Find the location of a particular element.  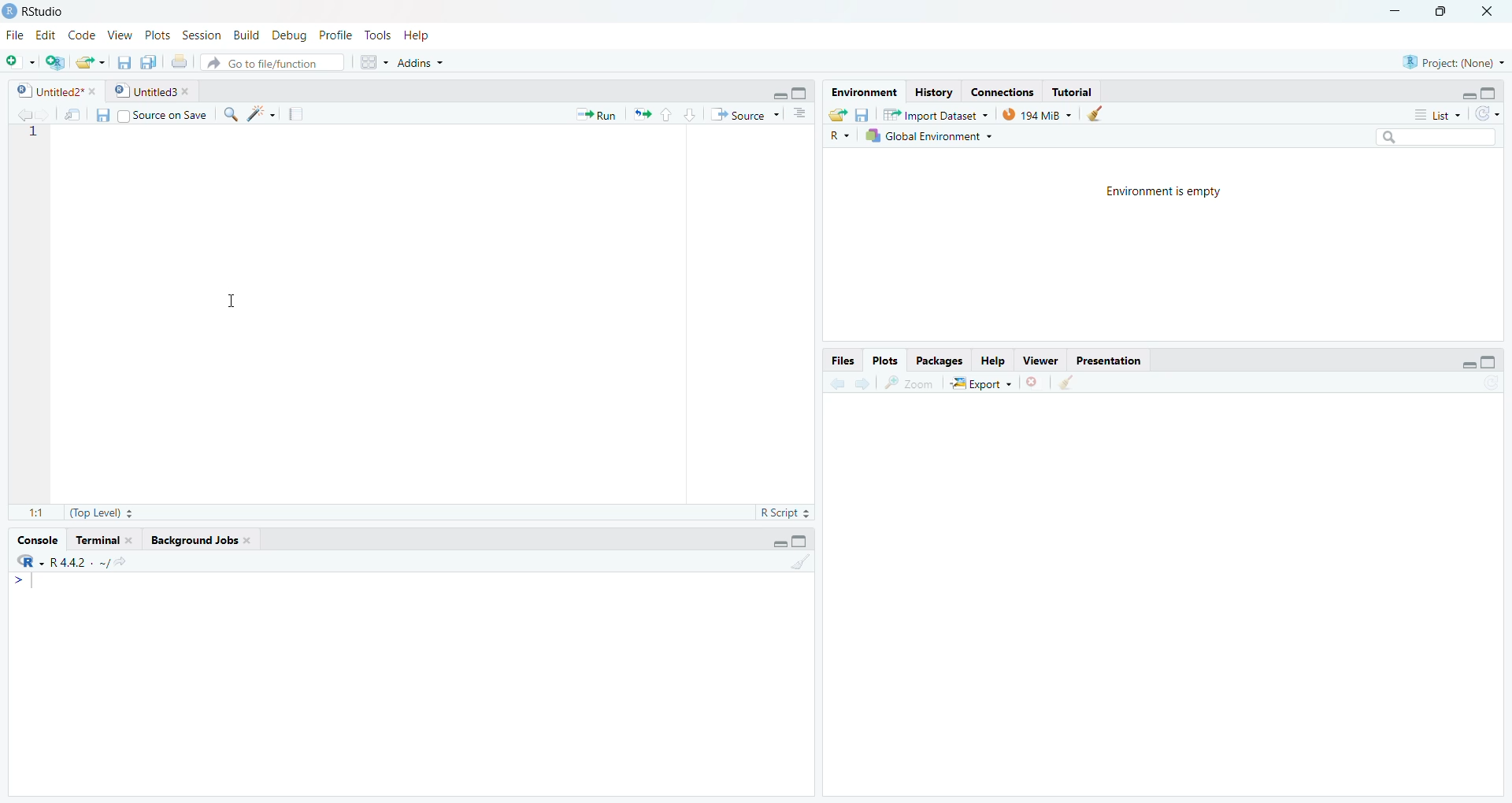

Maximize is located at coordinates (1491, 359).